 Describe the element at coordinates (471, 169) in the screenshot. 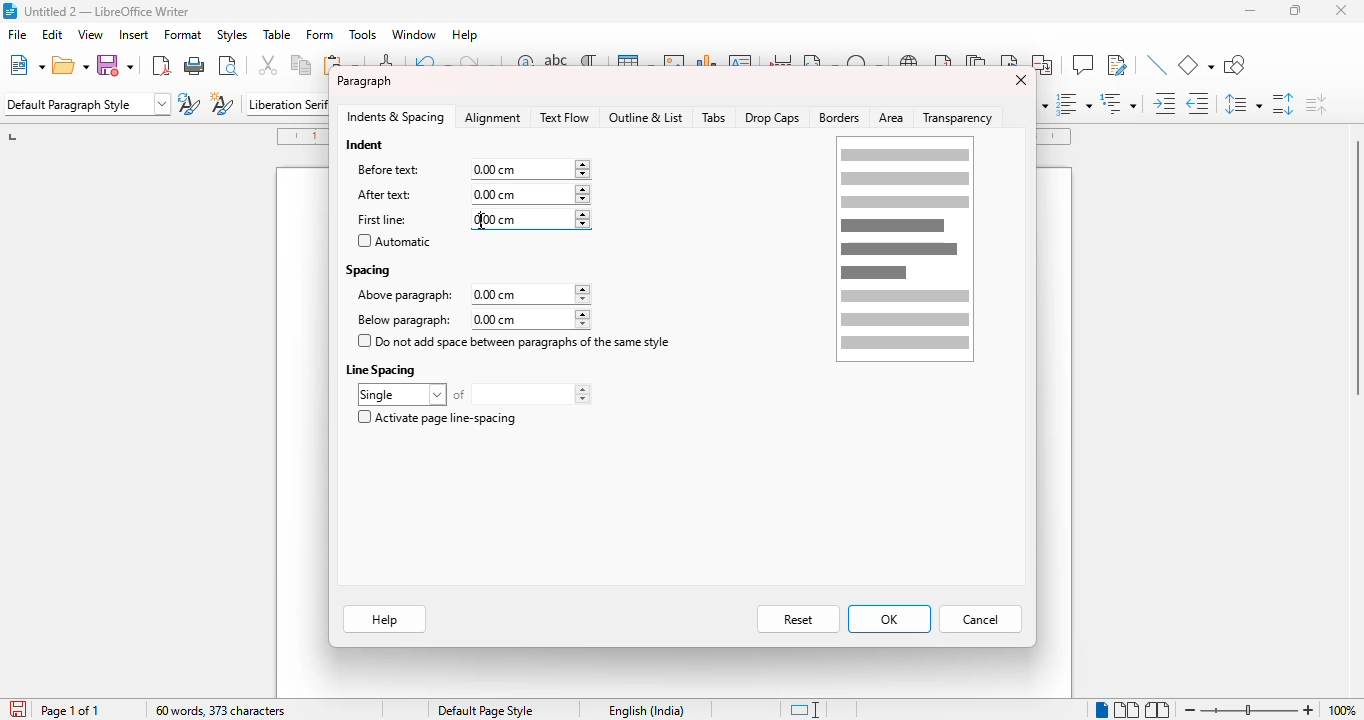

I see `before text: 0.00 cm` at that location.